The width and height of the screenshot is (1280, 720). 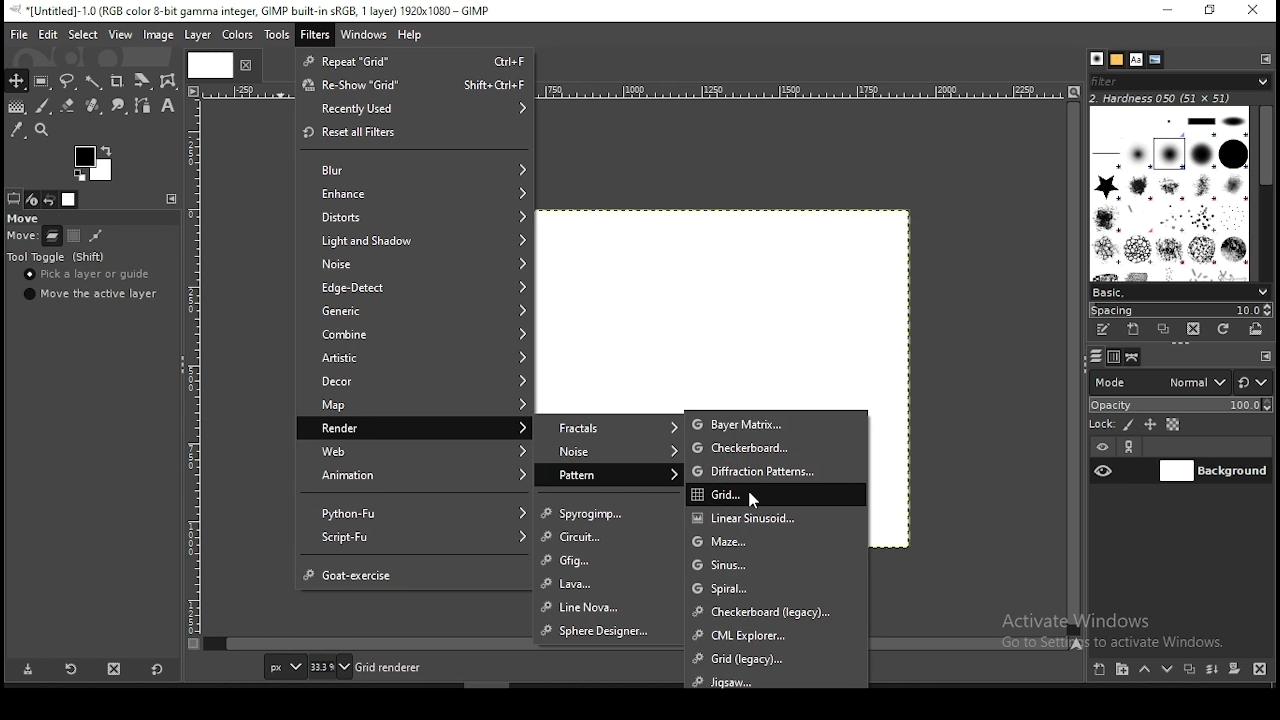 I want to click on diffraction patterns, so click(x=776, y=471).